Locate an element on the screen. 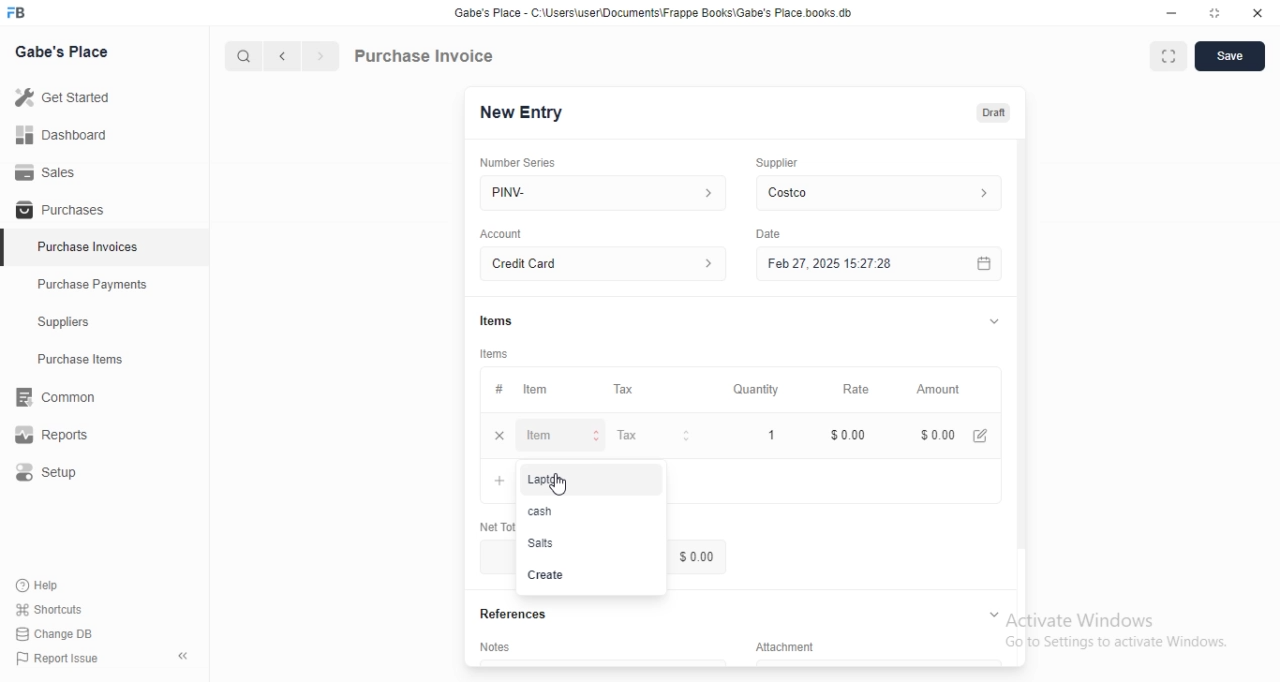 This screenshot has height=682, width=1280. Close is located at coordinates (500, 435).